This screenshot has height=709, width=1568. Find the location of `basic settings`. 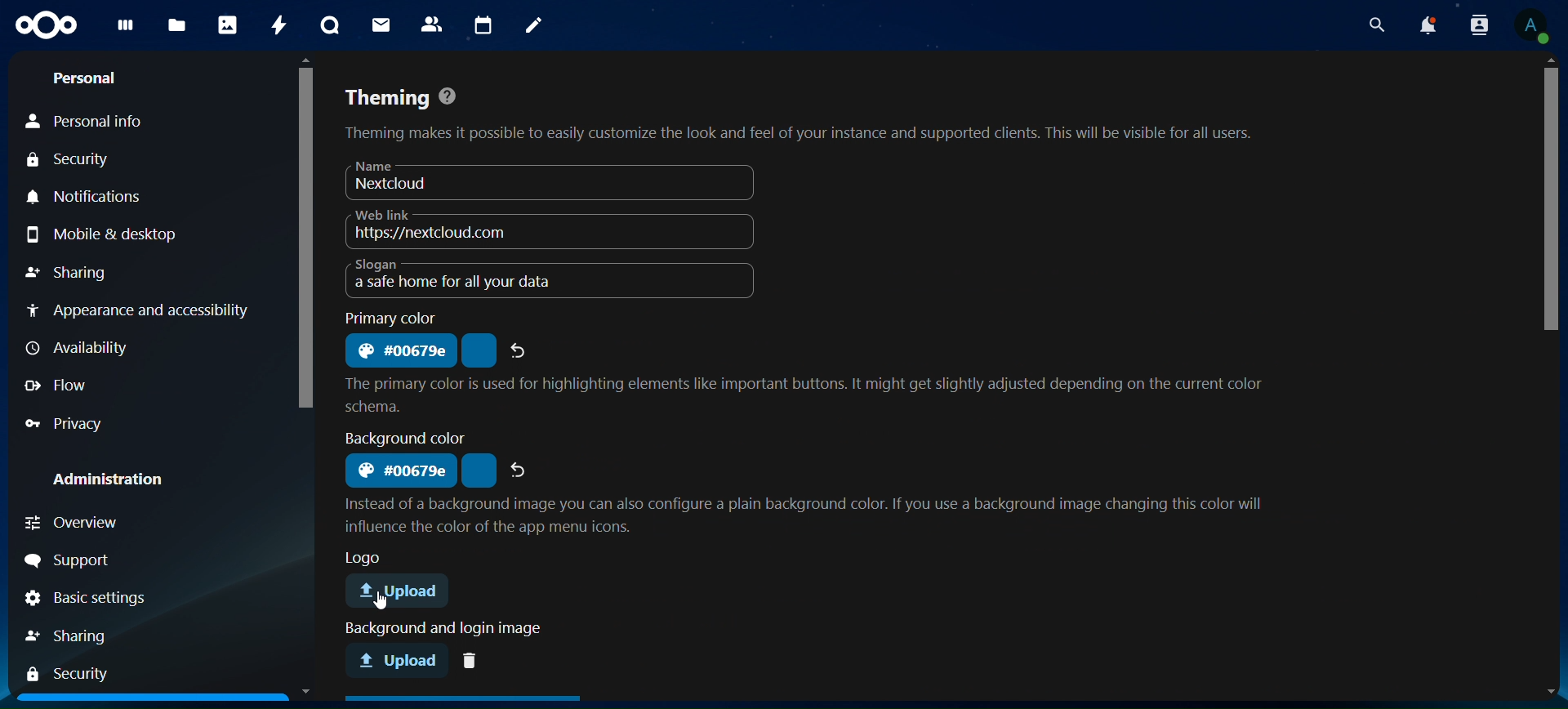

basic settings is located at coordinates (112, 600).